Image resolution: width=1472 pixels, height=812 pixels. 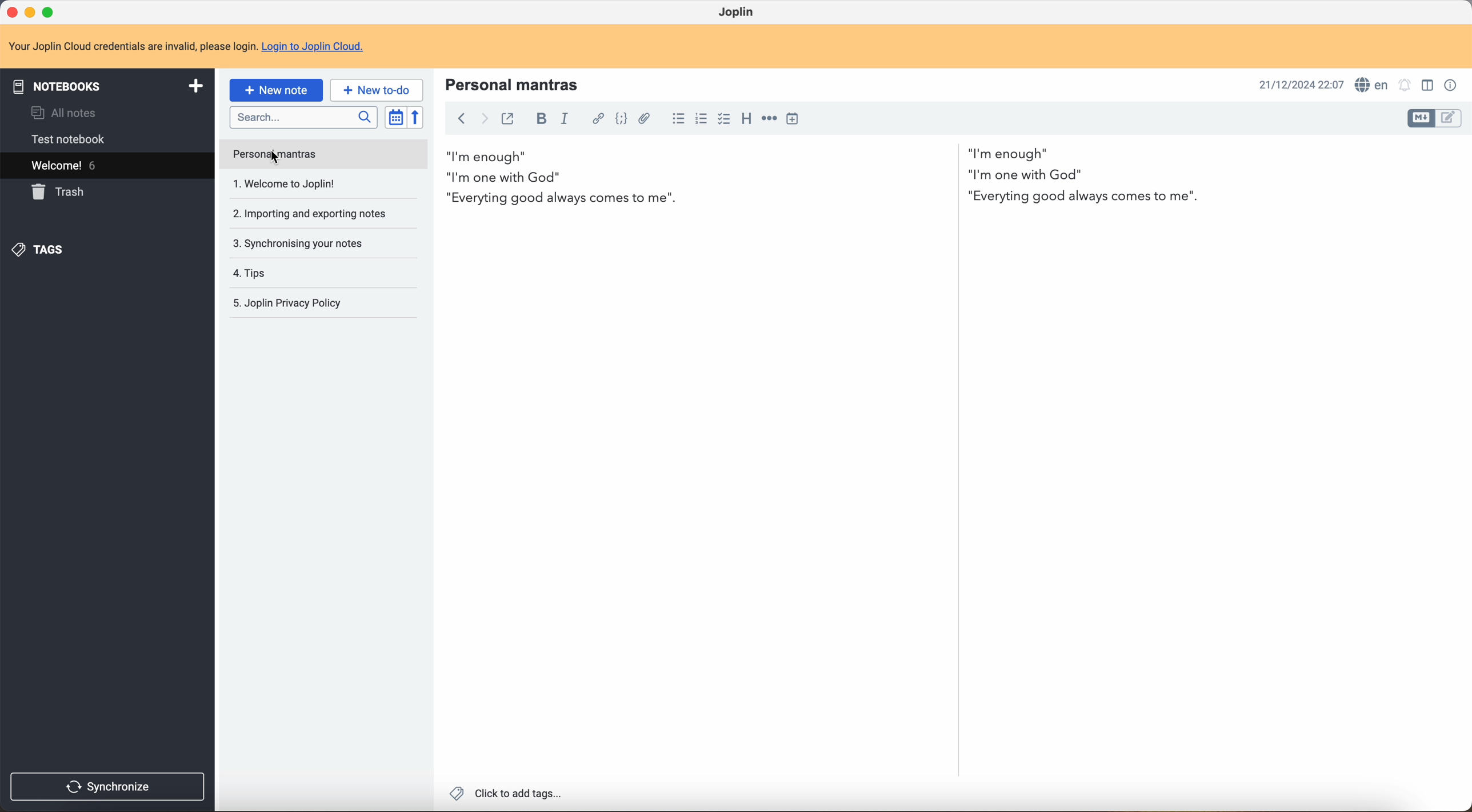 What do you see at coordinates (10, 12) in the screenshot?
I see `close program` at bounding box center [10, 12].